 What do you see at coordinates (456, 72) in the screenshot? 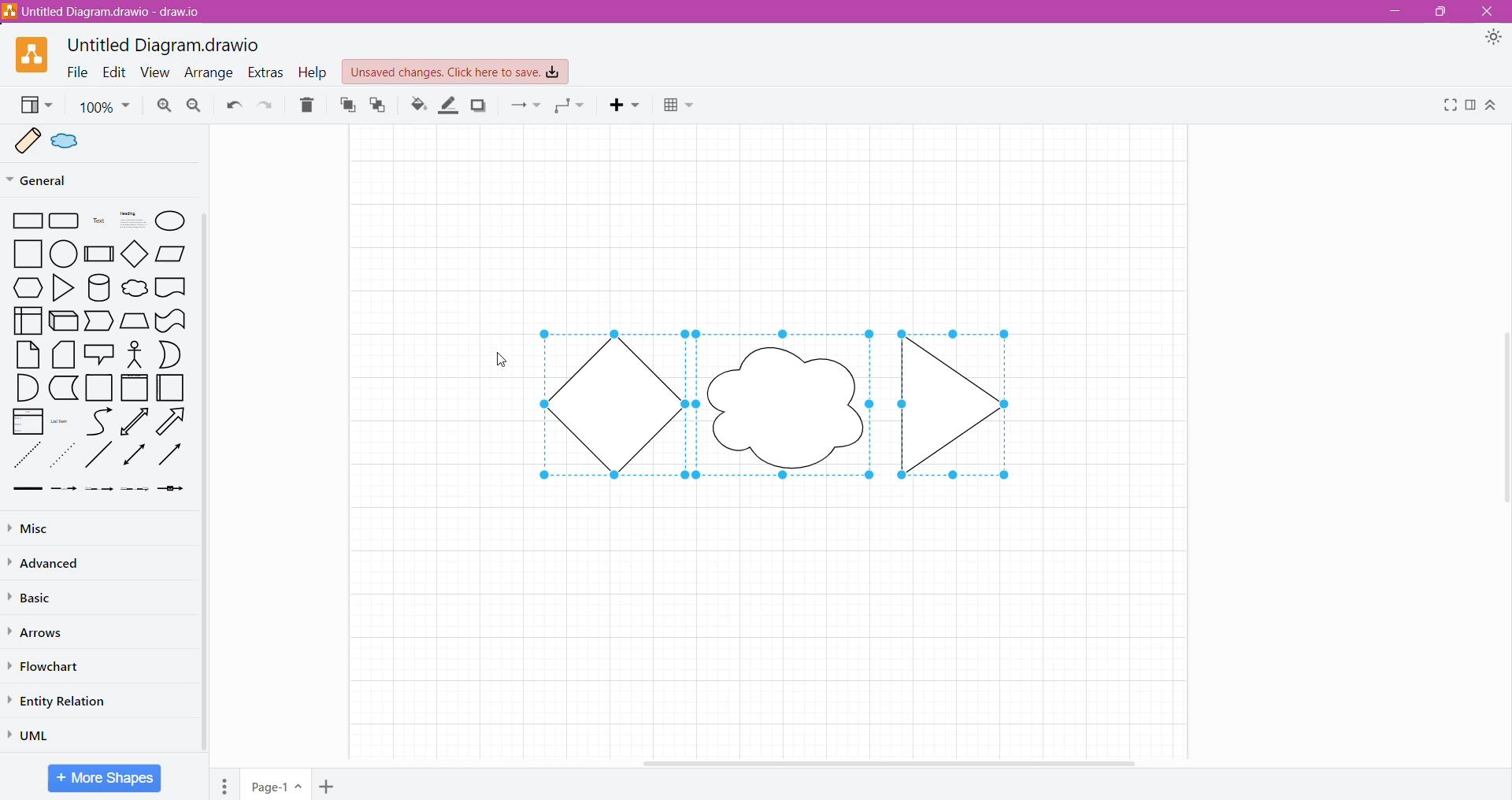
I see `Unsaved Changes. Click here to save` at bounding box center [456, 72].